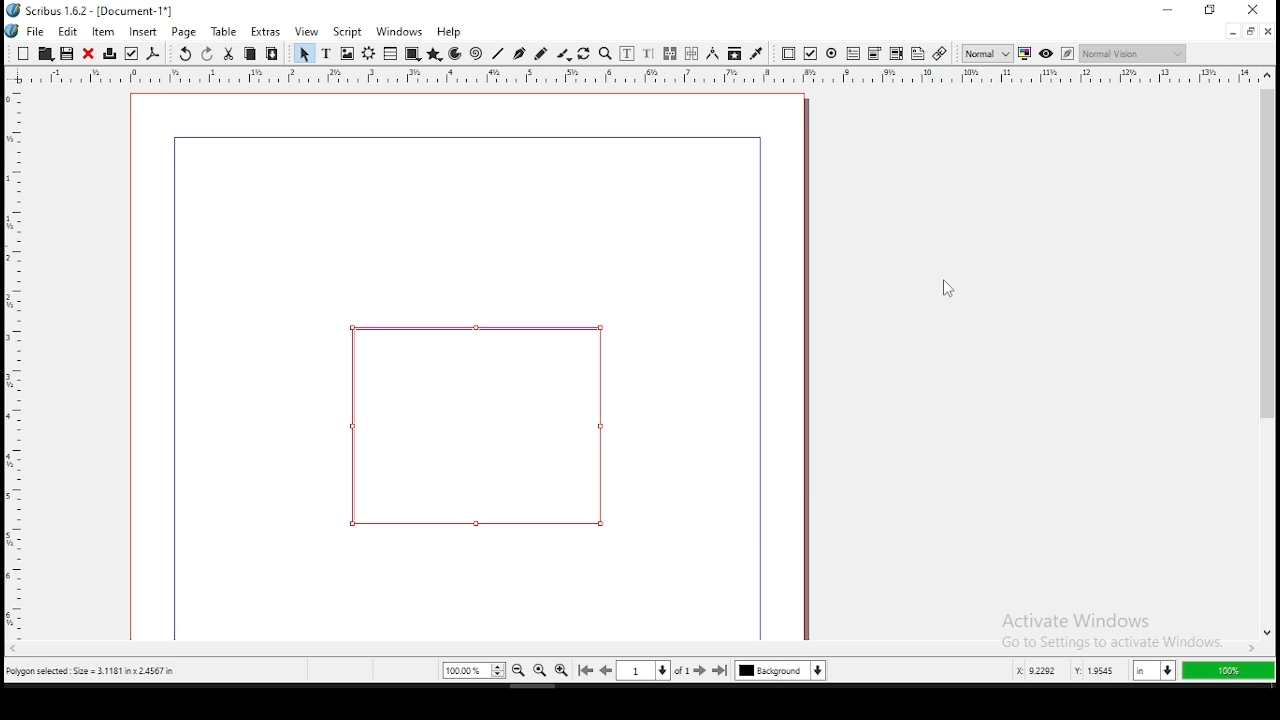 This screenshot has height=720, width=1280. Describe the element at coordinates (1031, 671) in the screenshot. I see `x: 5.2253` at that location.